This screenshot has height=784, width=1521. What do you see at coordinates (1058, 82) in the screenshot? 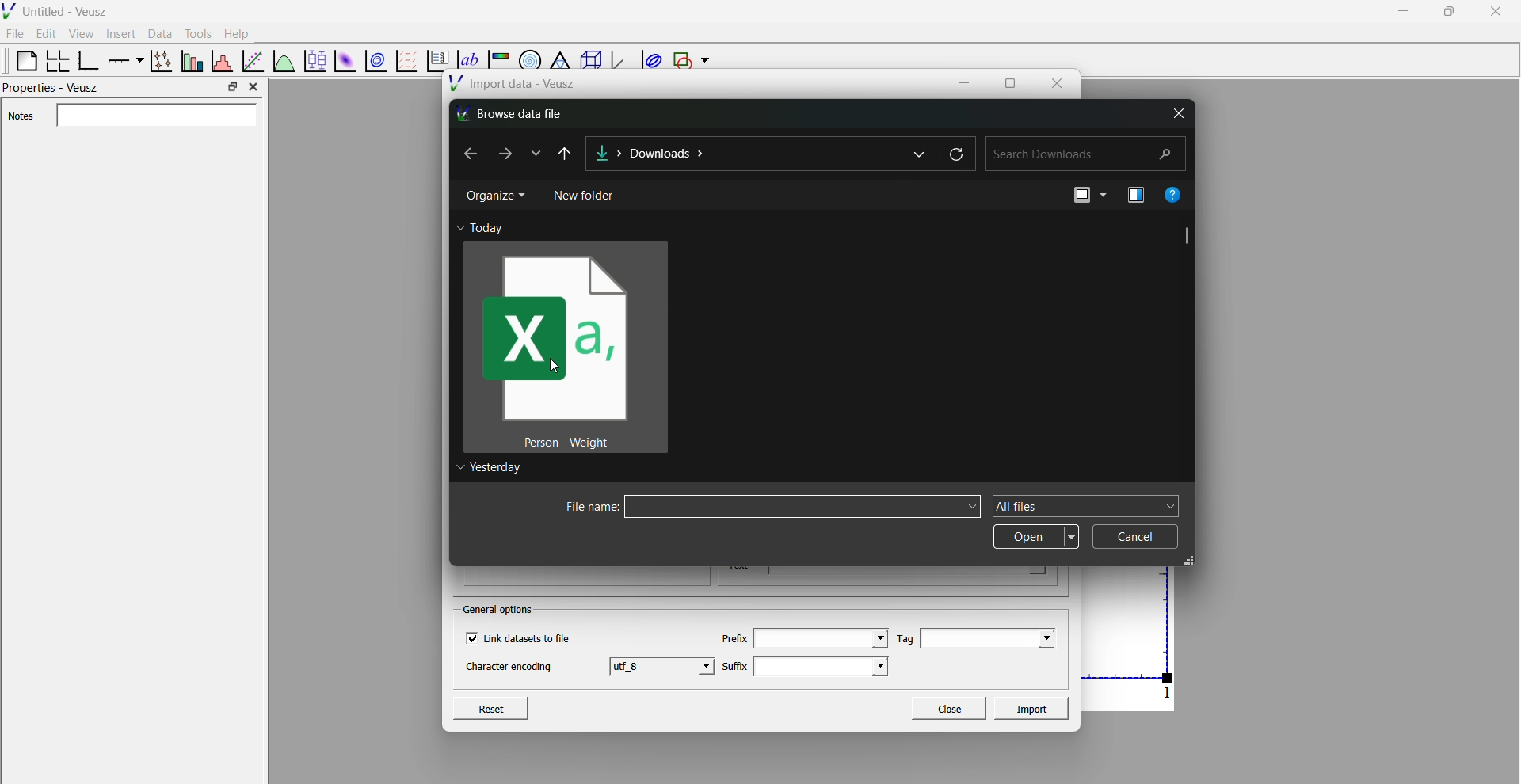
I see `close` at bounding box center [1058, 82].